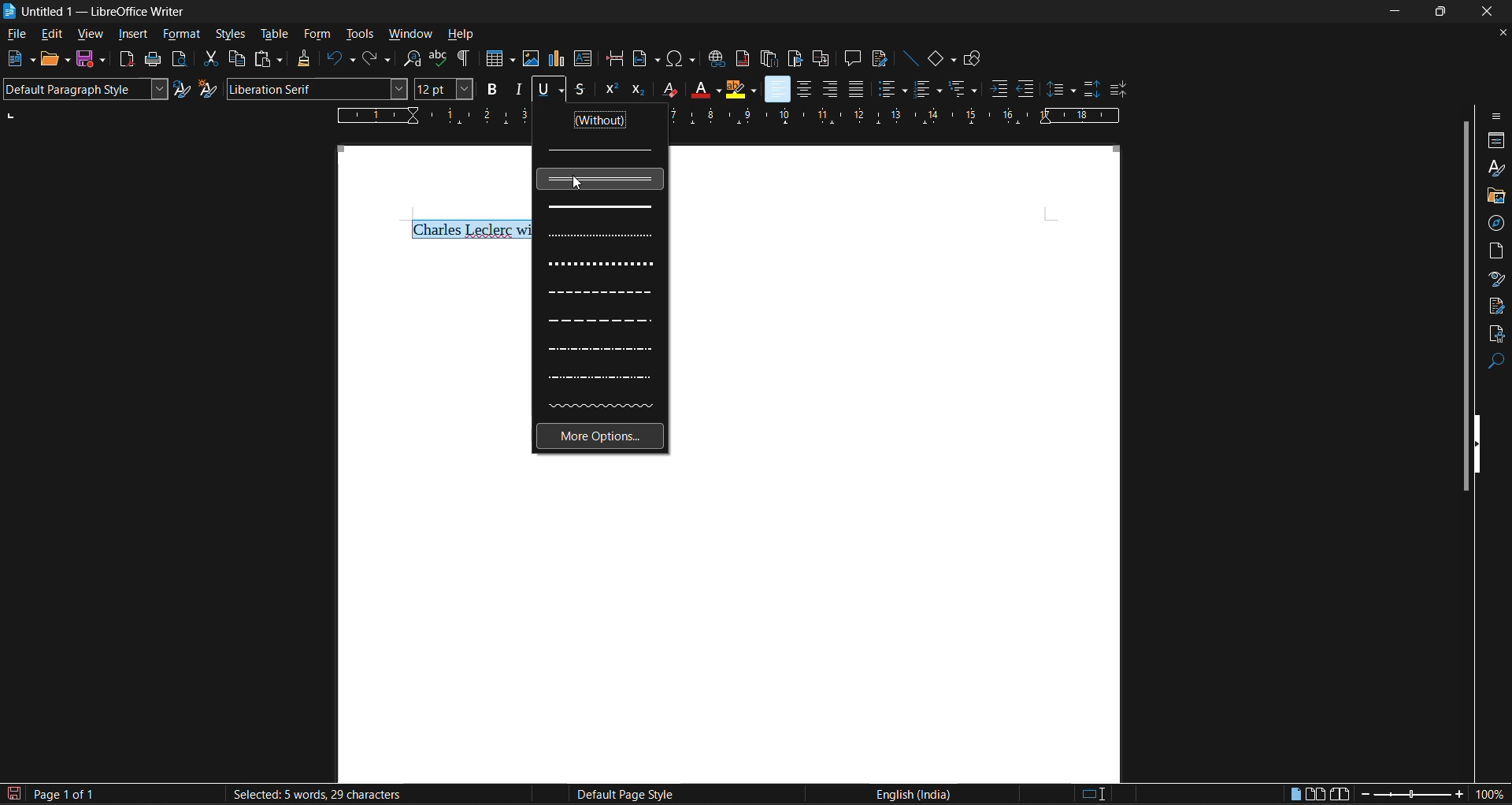 The image size is (1512, 805). Describe the element at coordinates (273, 35) in the screenshot. I see `table` at that location.